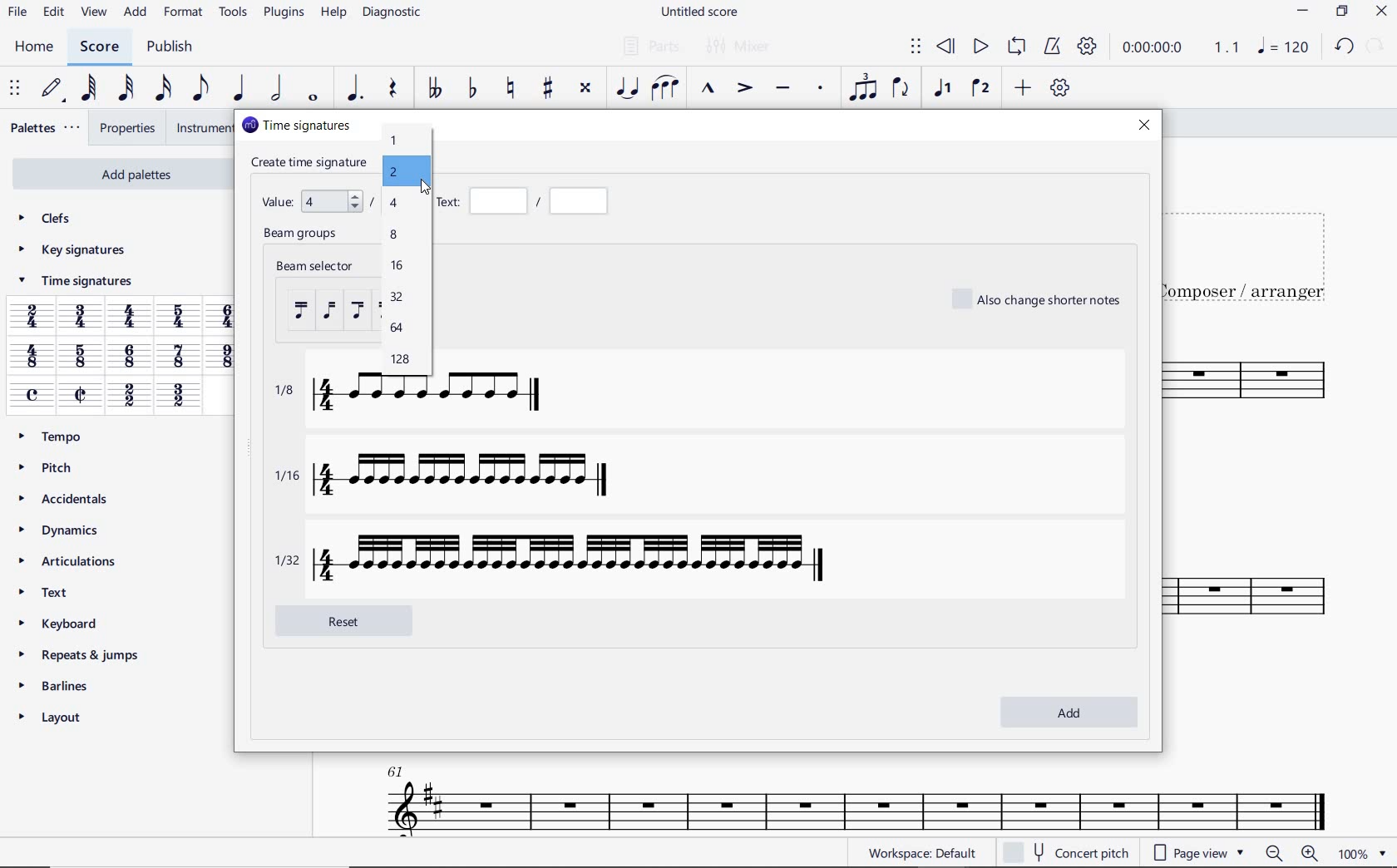 This screenshot has width=1397, height=868. Describe the element at coordinates (1068, 711) in the screenshot. I see `add` at that location.